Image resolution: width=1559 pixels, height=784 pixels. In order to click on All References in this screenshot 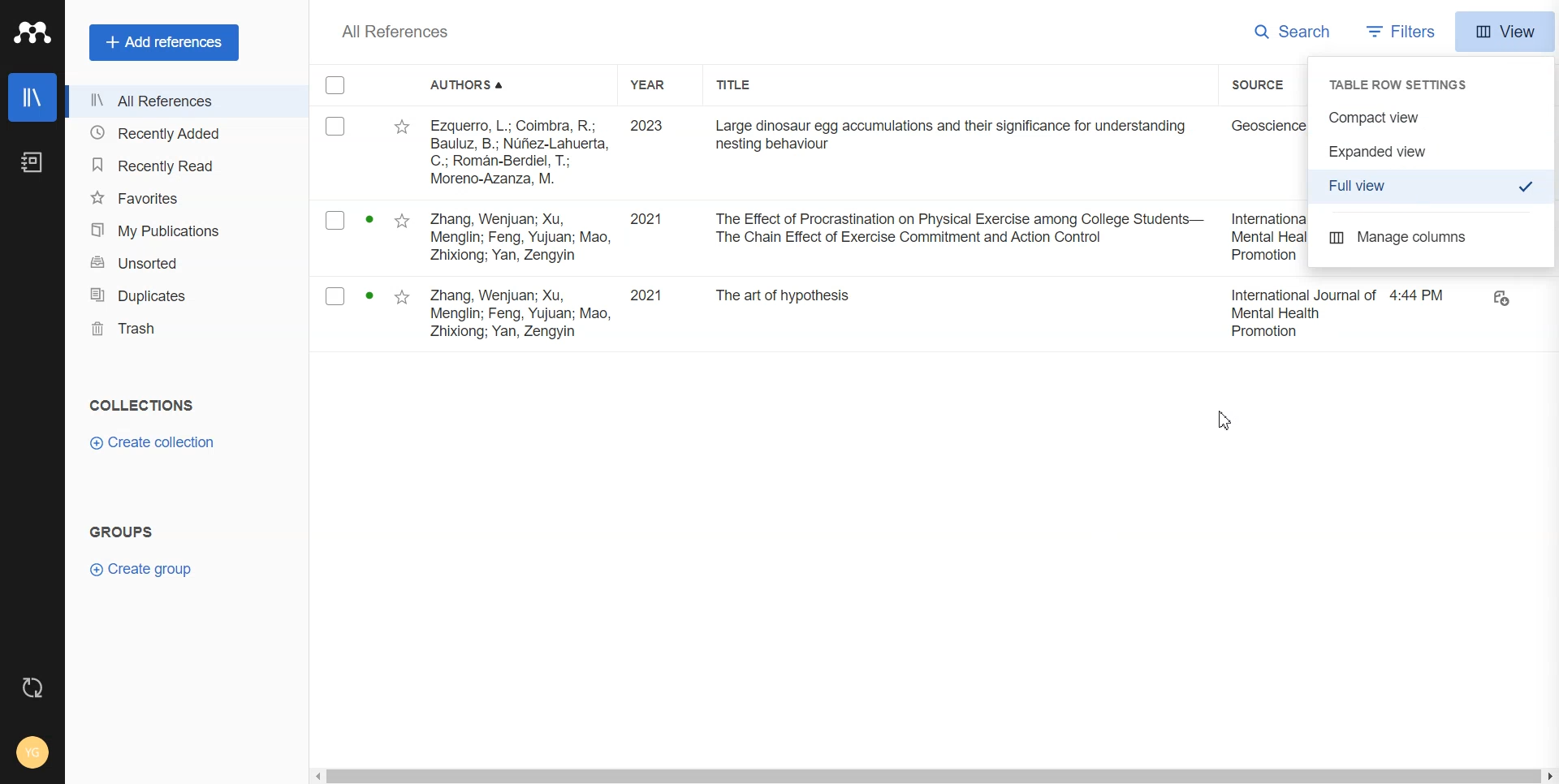, I will do `click(395, 32)`.